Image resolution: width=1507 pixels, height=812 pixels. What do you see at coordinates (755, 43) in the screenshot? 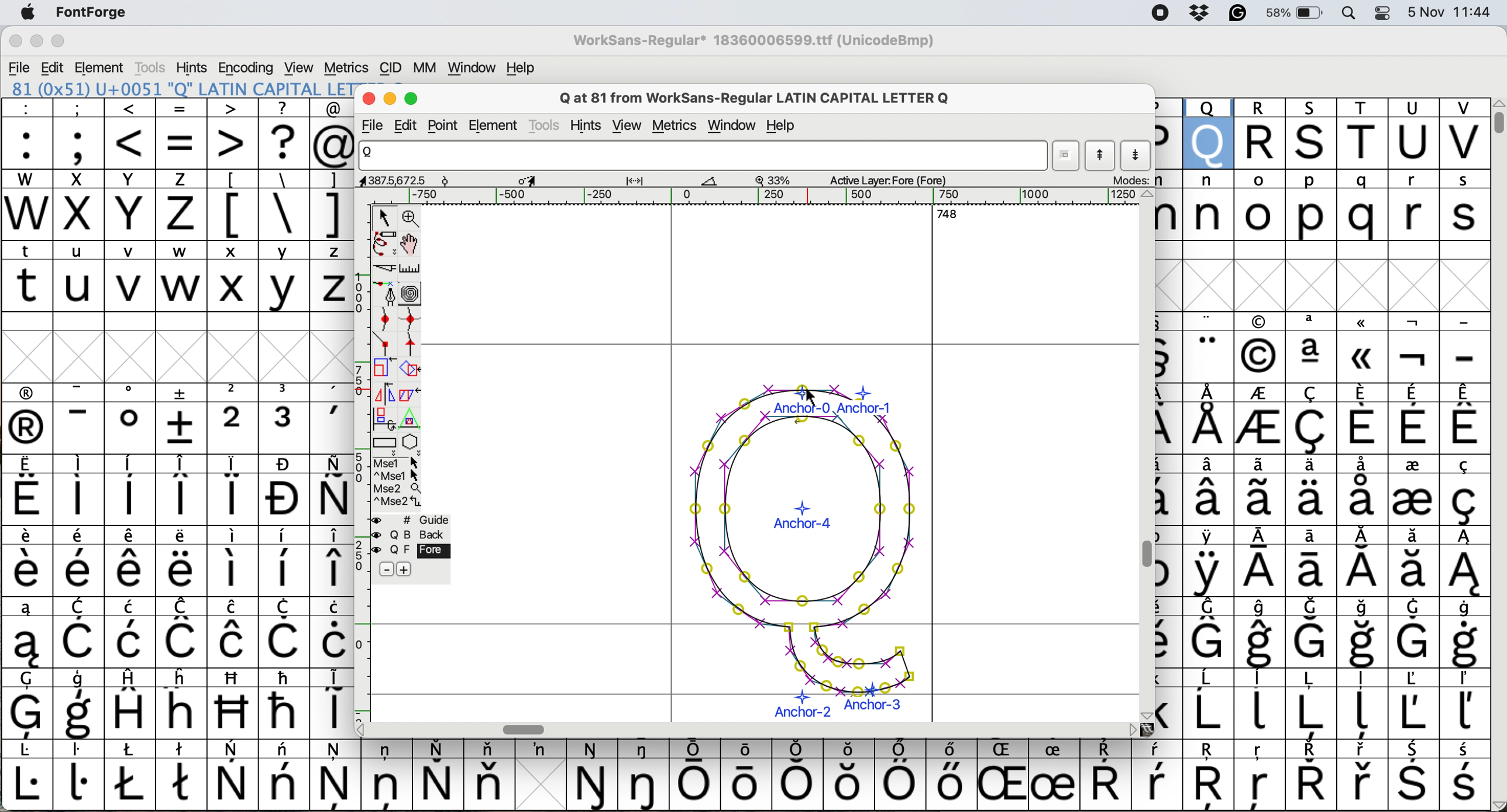
I see `WorkSans-Regular* 18360006599.ttf (UnicodeBmp)` at bounding box center [755, 43].